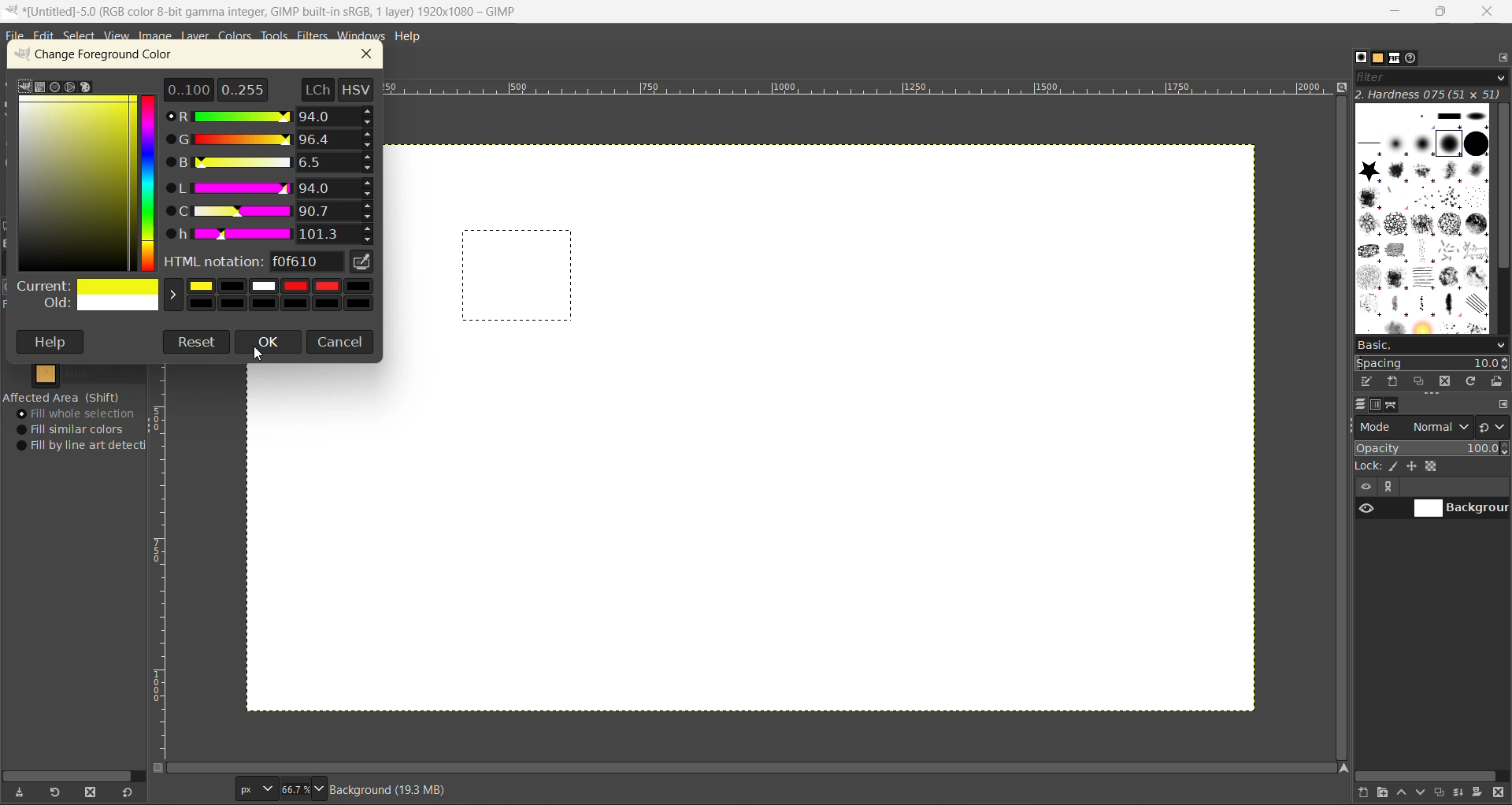  What do you see at coordinates (1419, 221) in the screenshot?
I see `brushes` at bounding box center [1419, 221].